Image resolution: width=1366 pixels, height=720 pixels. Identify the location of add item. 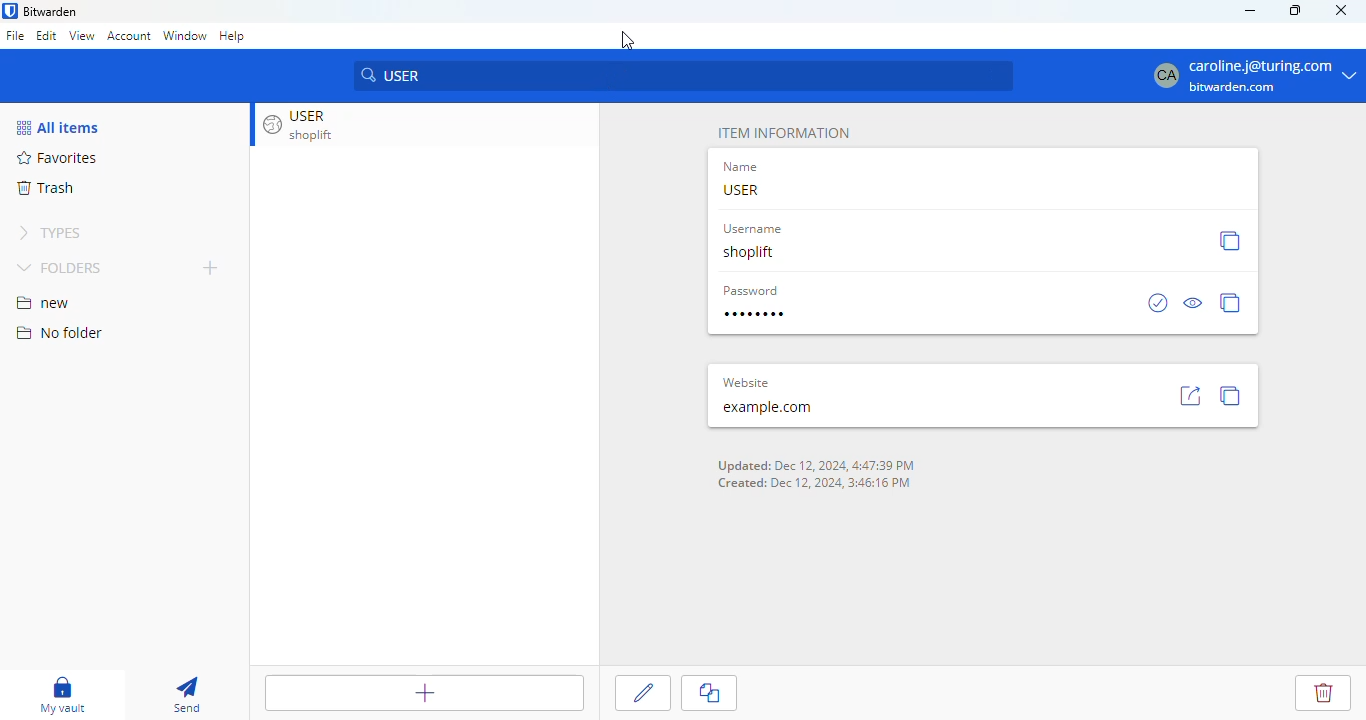
(425, 691).